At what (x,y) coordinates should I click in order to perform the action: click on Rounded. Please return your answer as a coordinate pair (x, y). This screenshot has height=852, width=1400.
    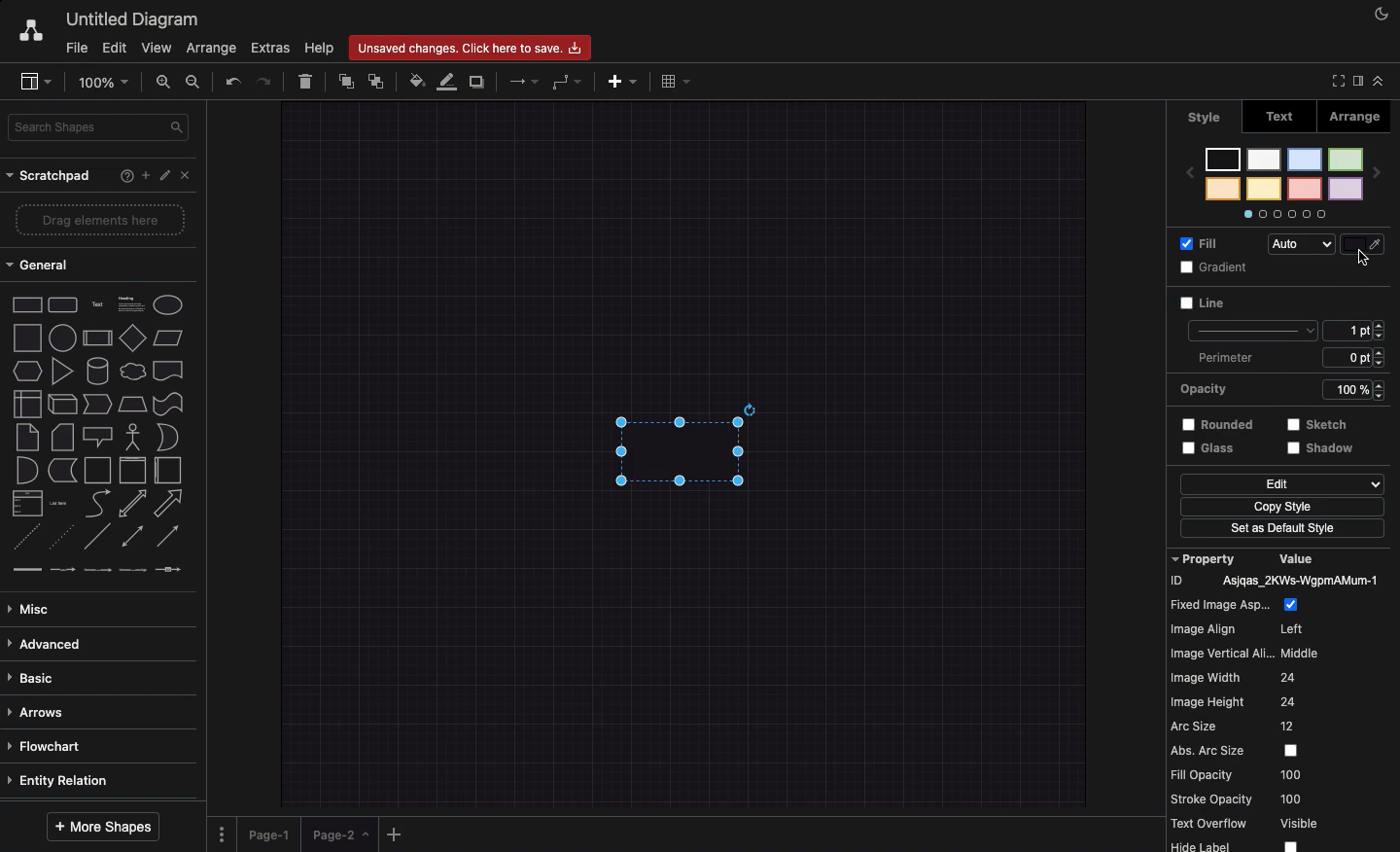
    Looking at the image, I should click on (1218, 422).